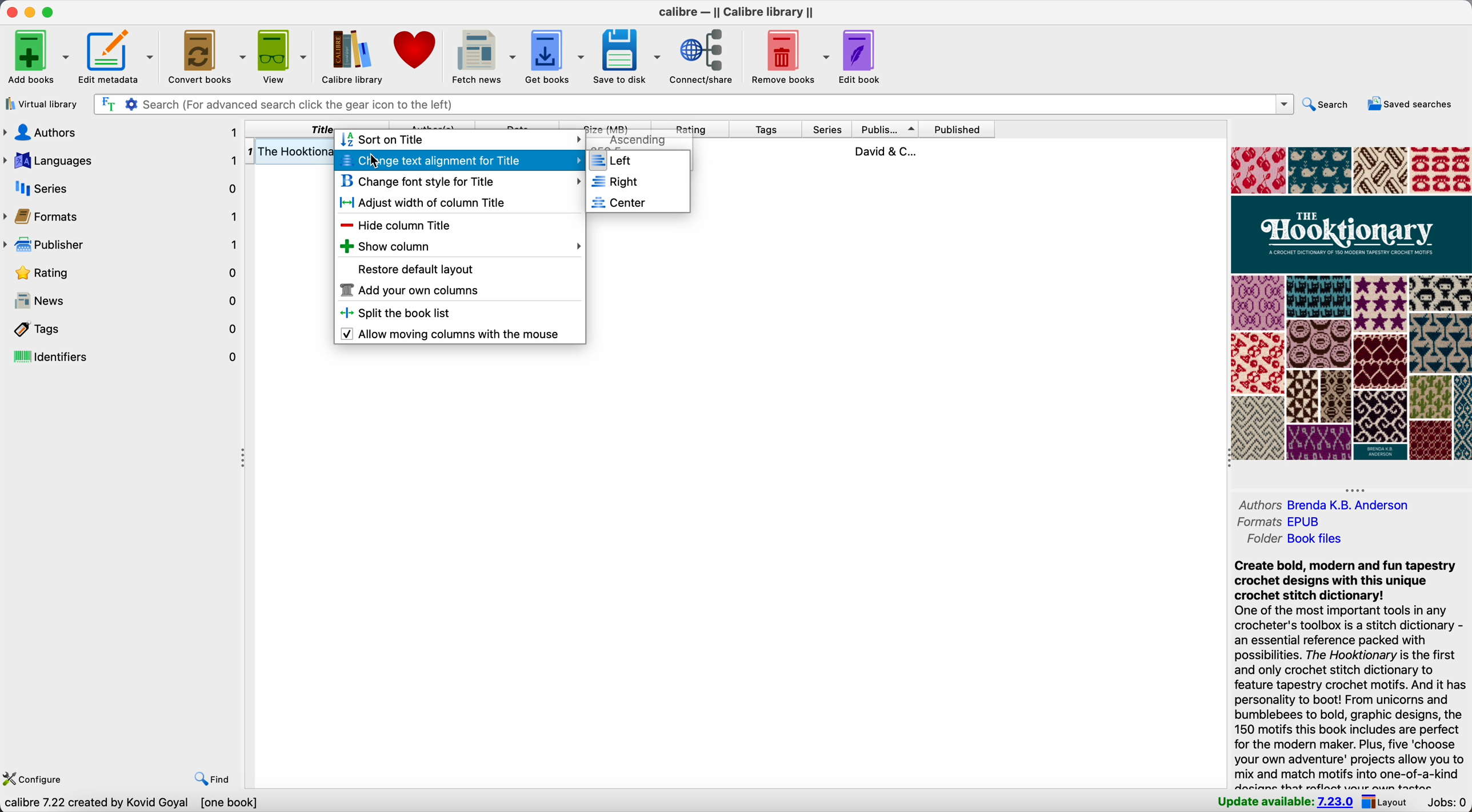  I want to click on authors Brenda K.B. Andreson, so click(1324, 504).